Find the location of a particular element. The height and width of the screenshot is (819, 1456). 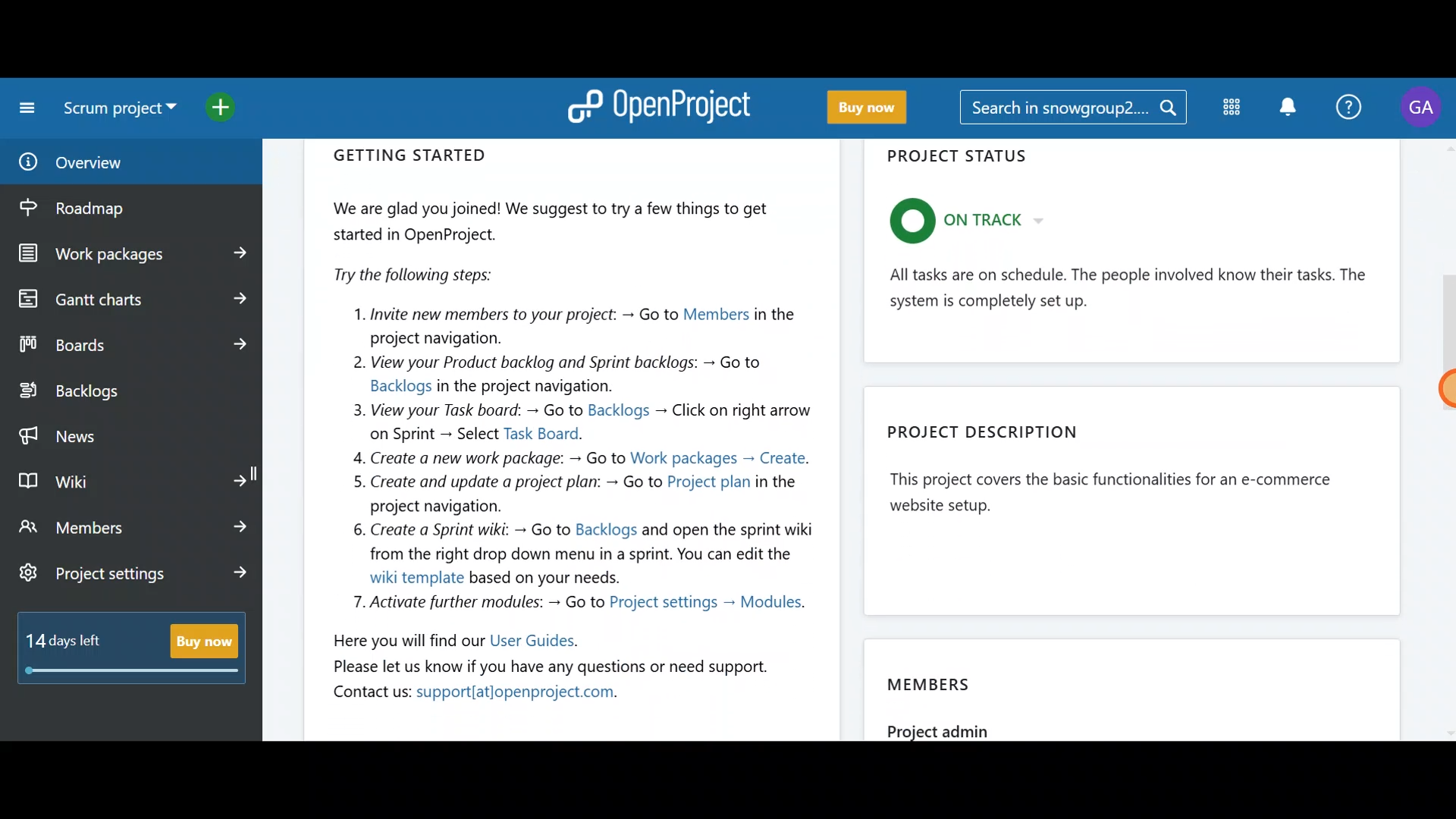

Roadmap is located at coordinates (105, 209).